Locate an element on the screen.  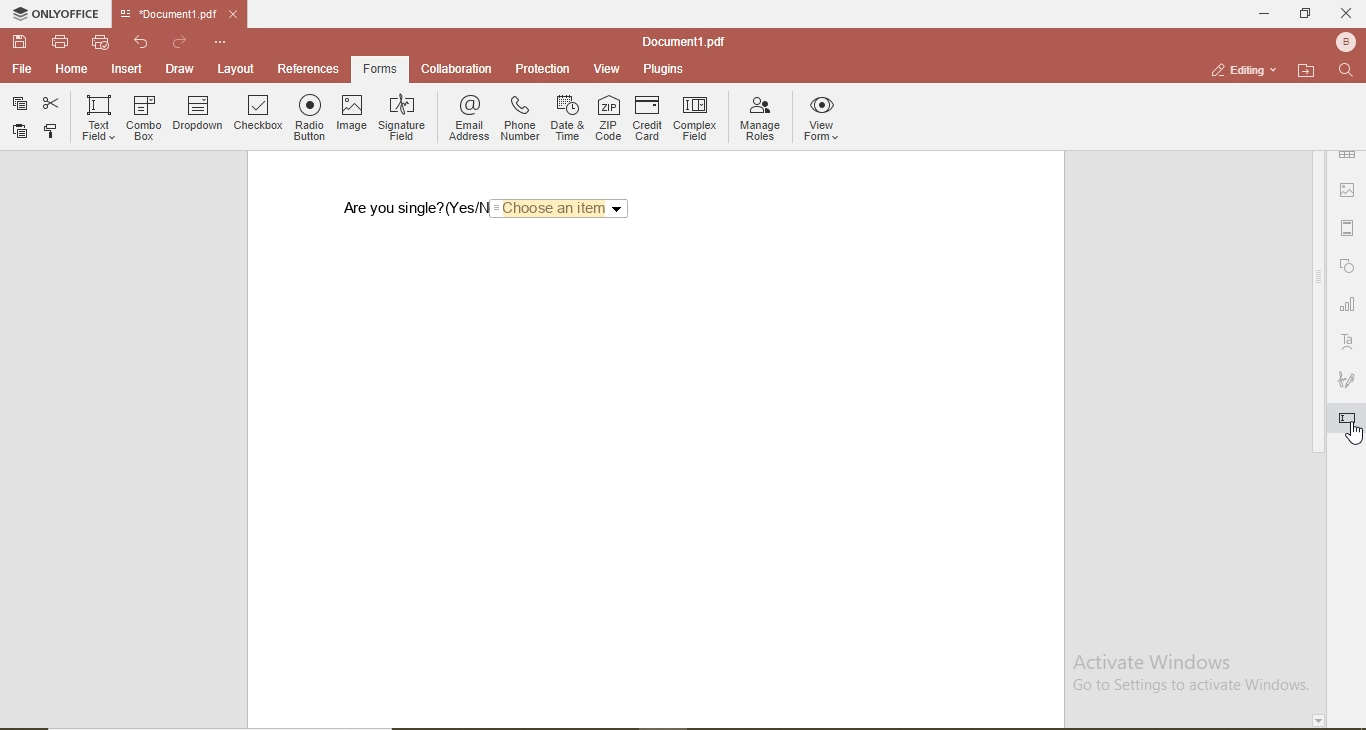
options is located at coordinates (221, 43).